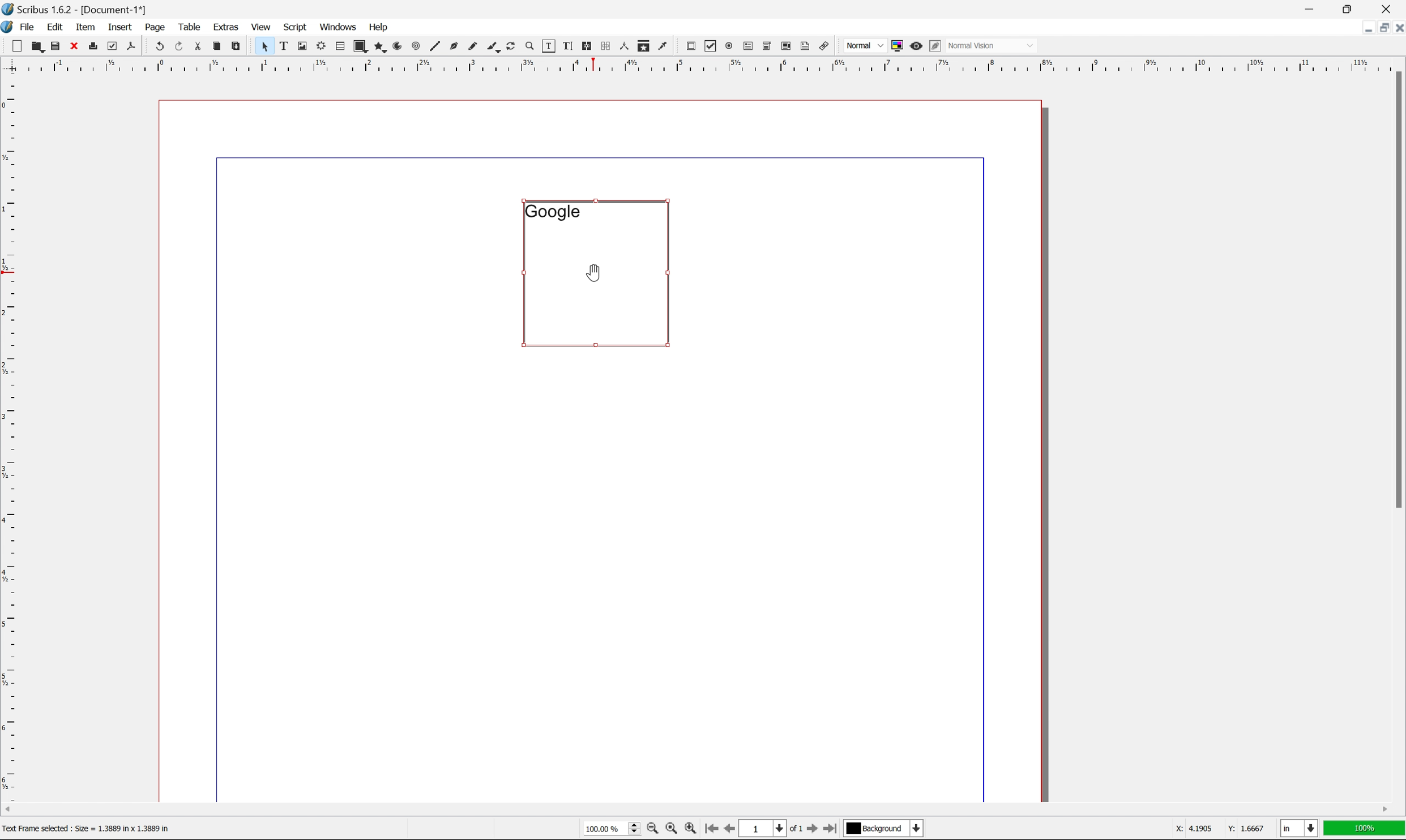  What do you see at coordinates (159, 47) in the screenshot?
I see `undo` at bounding box center [159, 47].